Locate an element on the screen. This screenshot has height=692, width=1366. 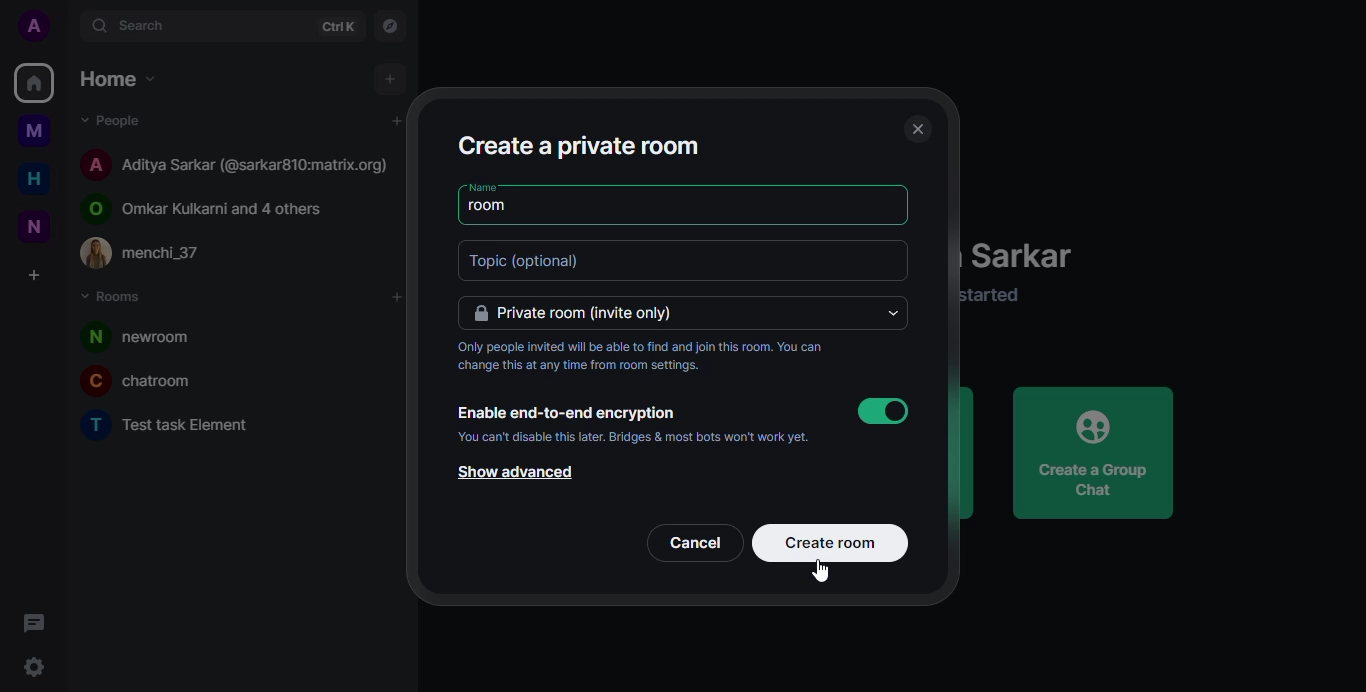
new is located at coordinates (31, 227).